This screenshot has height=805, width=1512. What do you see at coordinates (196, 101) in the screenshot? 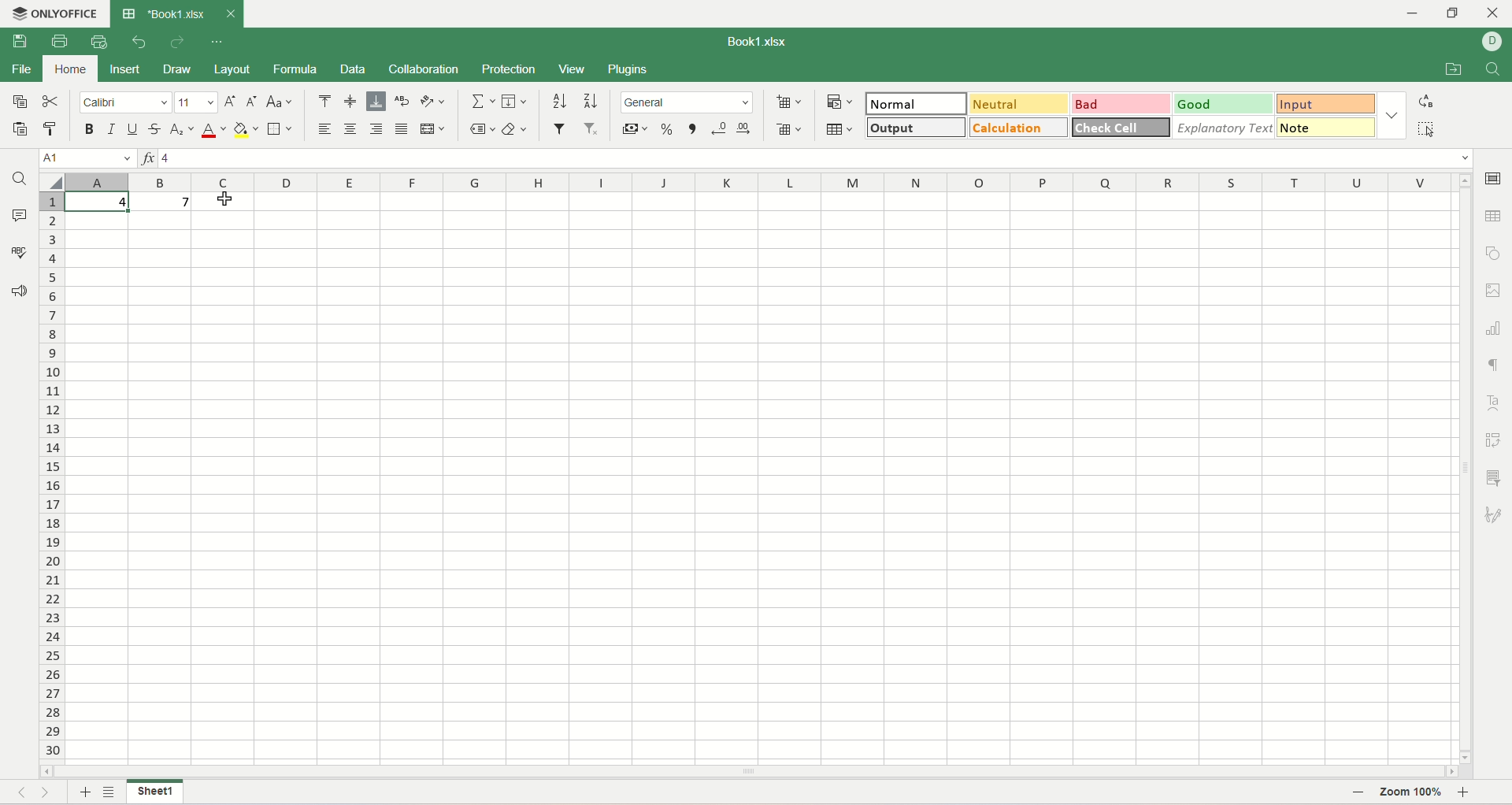
I see `font size` at bounding box center [196, 101].